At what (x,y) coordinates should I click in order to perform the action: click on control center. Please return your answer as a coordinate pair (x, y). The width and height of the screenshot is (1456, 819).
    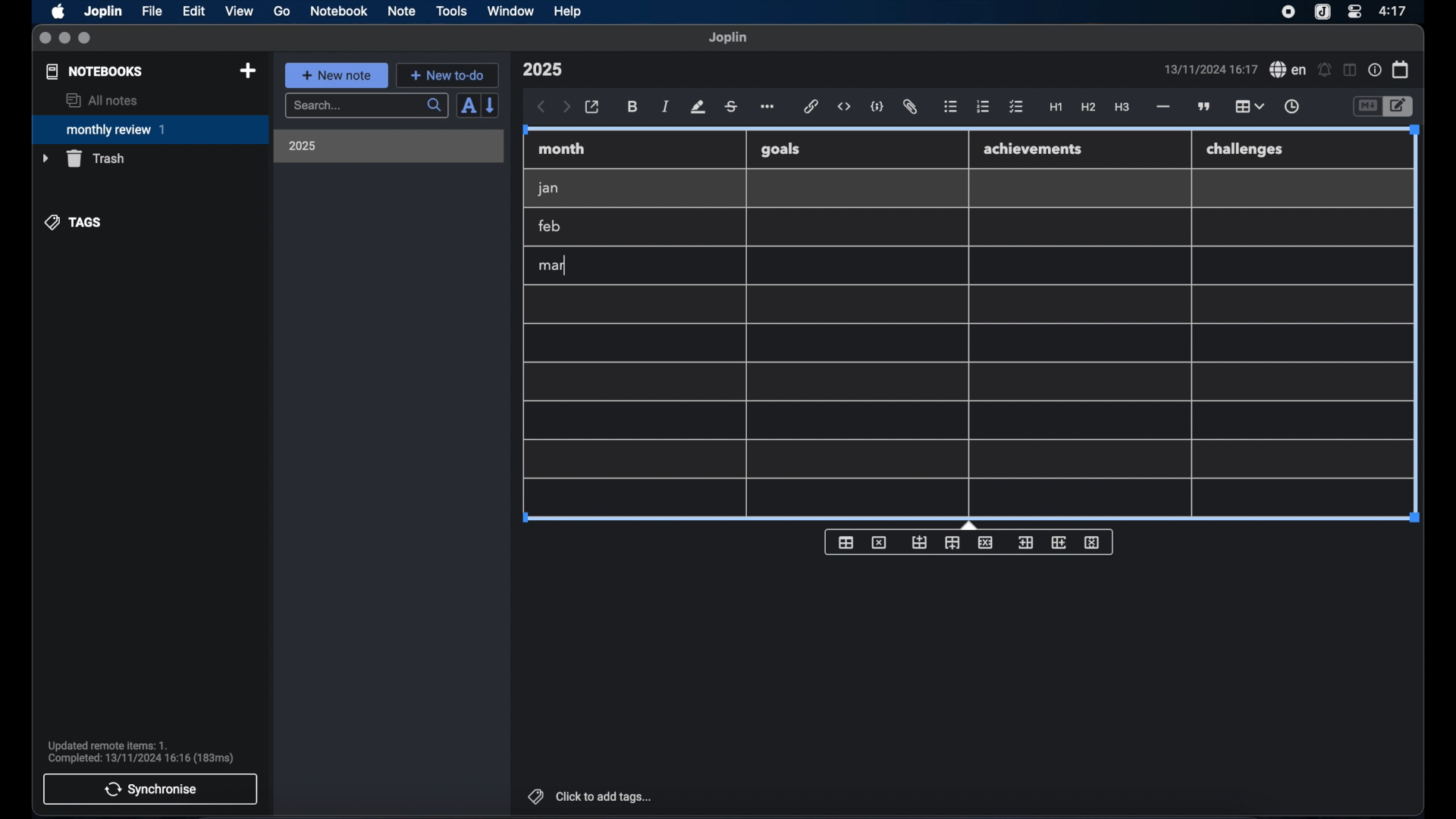
    Looking at the image, I should click on (1354, 11).